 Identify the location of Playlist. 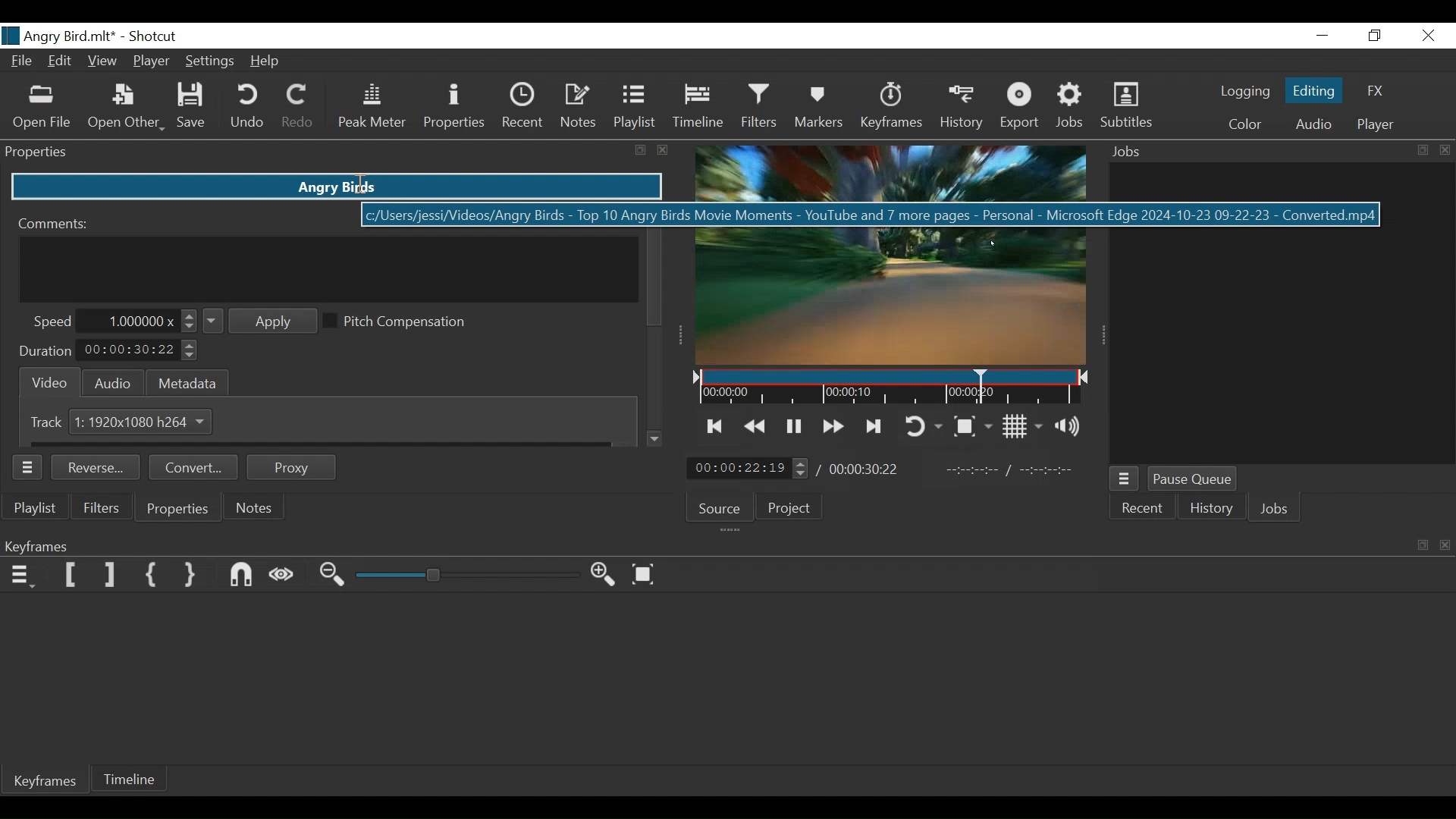
(39, 509).